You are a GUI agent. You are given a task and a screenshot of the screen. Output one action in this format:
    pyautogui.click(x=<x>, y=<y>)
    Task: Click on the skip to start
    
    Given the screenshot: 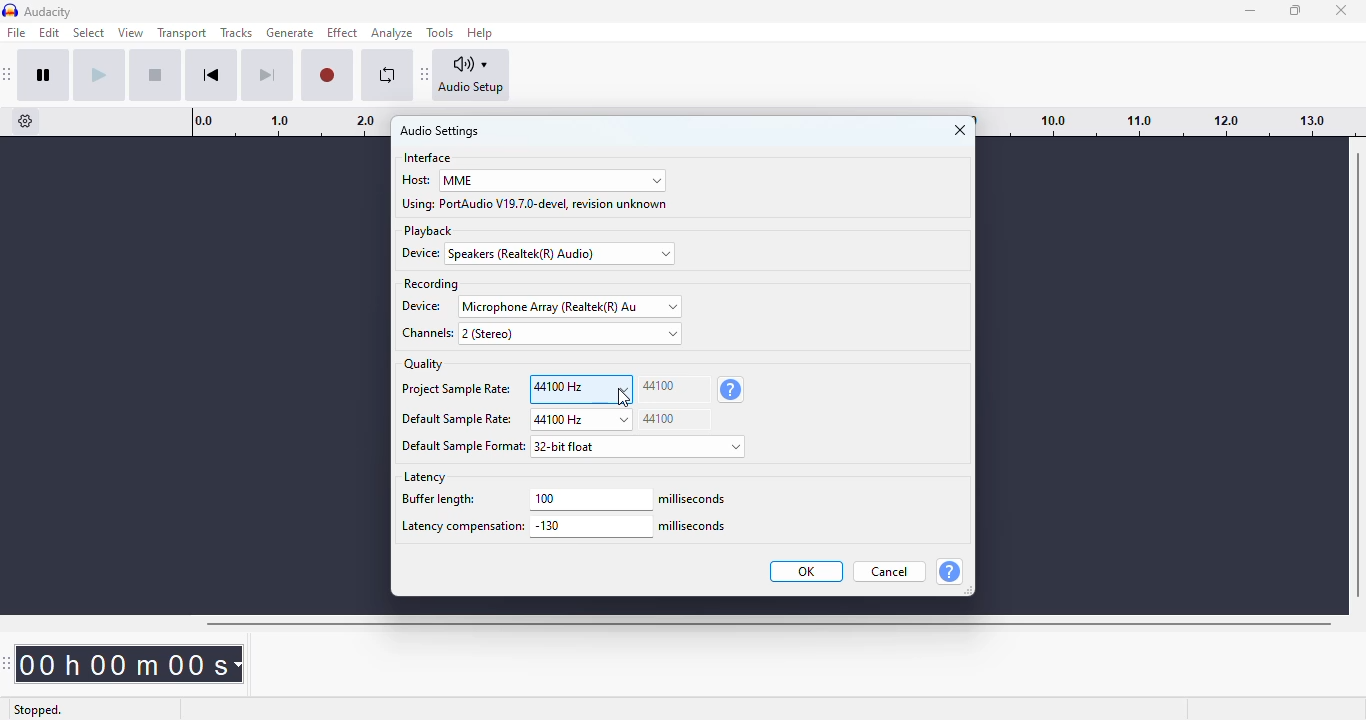 What is the action you would take?
    pyautogui.click(x=211, y=75)
    